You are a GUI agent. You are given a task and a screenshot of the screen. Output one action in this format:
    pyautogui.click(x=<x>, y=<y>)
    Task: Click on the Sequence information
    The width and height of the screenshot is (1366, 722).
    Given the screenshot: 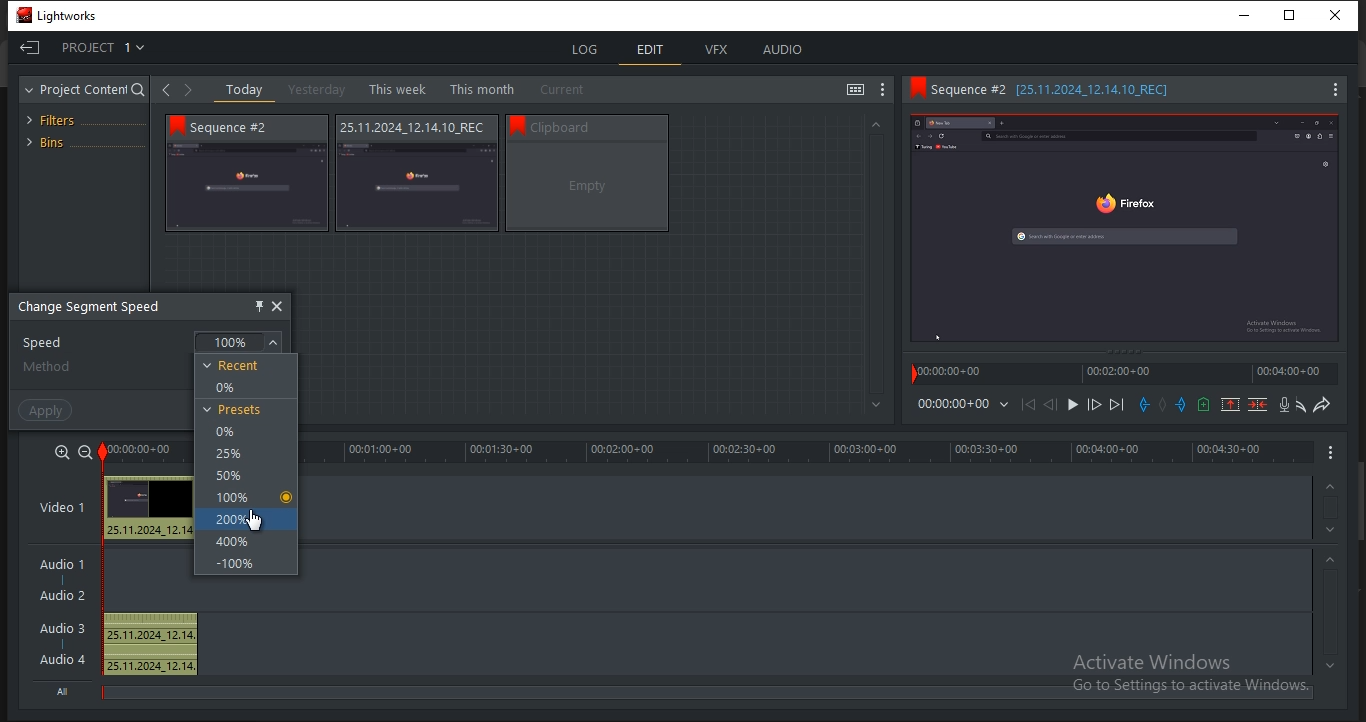 What is the action you would take?
    pyautogui.click(x=602, y=126)
    